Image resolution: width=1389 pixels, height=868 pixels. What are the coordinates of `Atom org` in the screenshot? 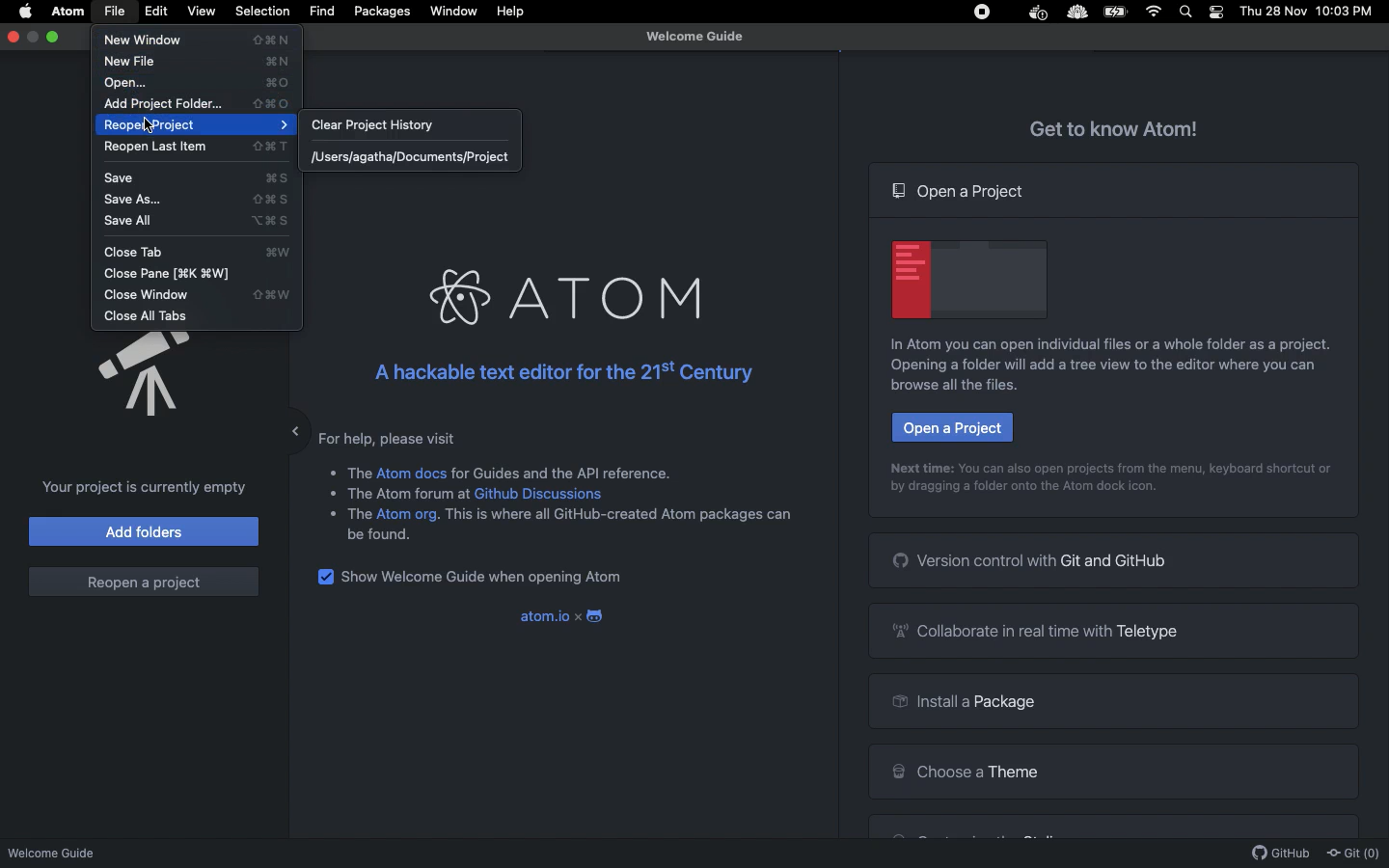 It's located at (408, 517).